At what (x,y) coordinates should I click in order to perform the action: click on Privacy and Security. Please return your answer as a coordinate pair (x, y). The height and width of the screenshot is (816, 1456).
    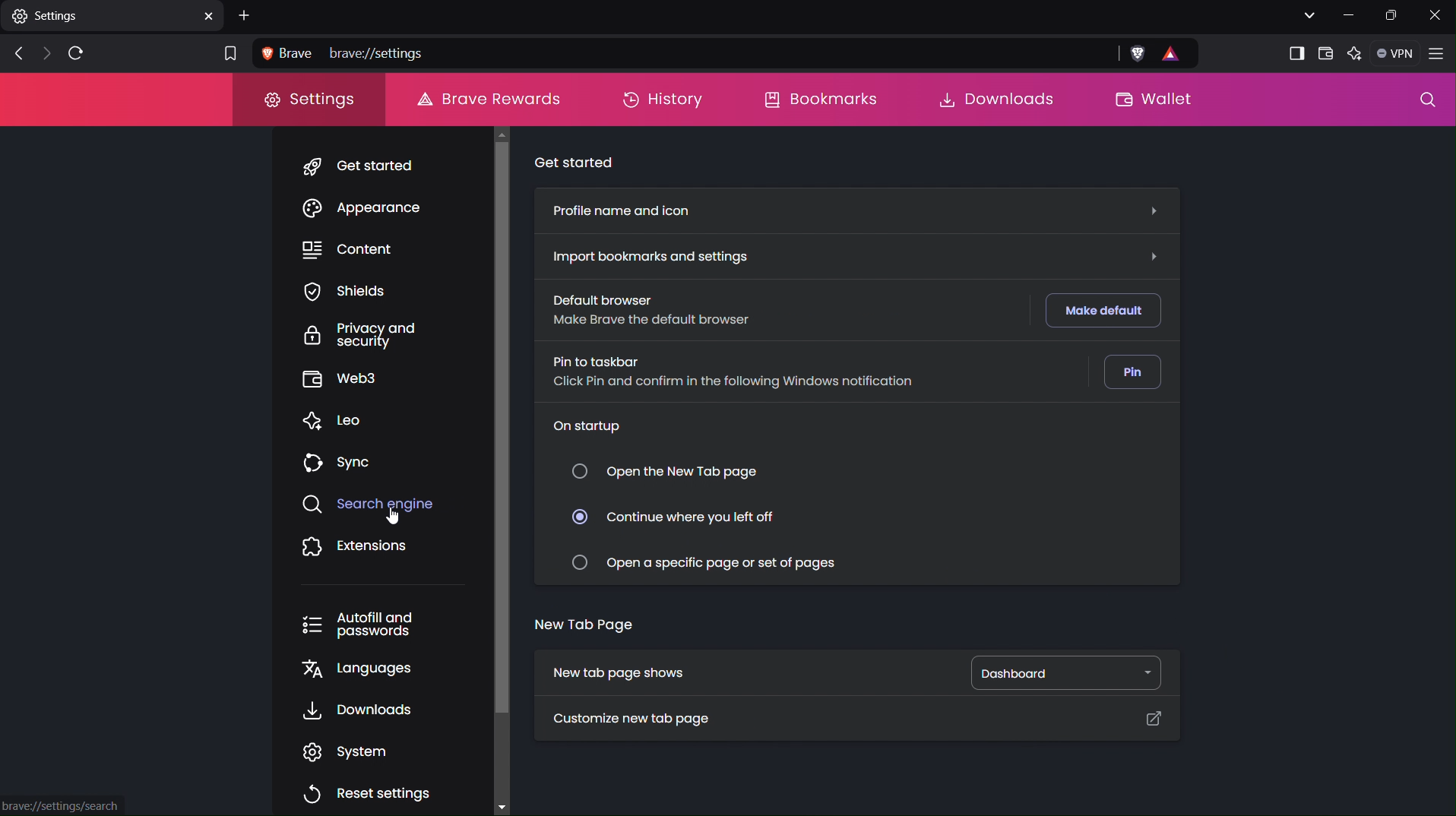
    Looking at the image, I should click on (347, 337).